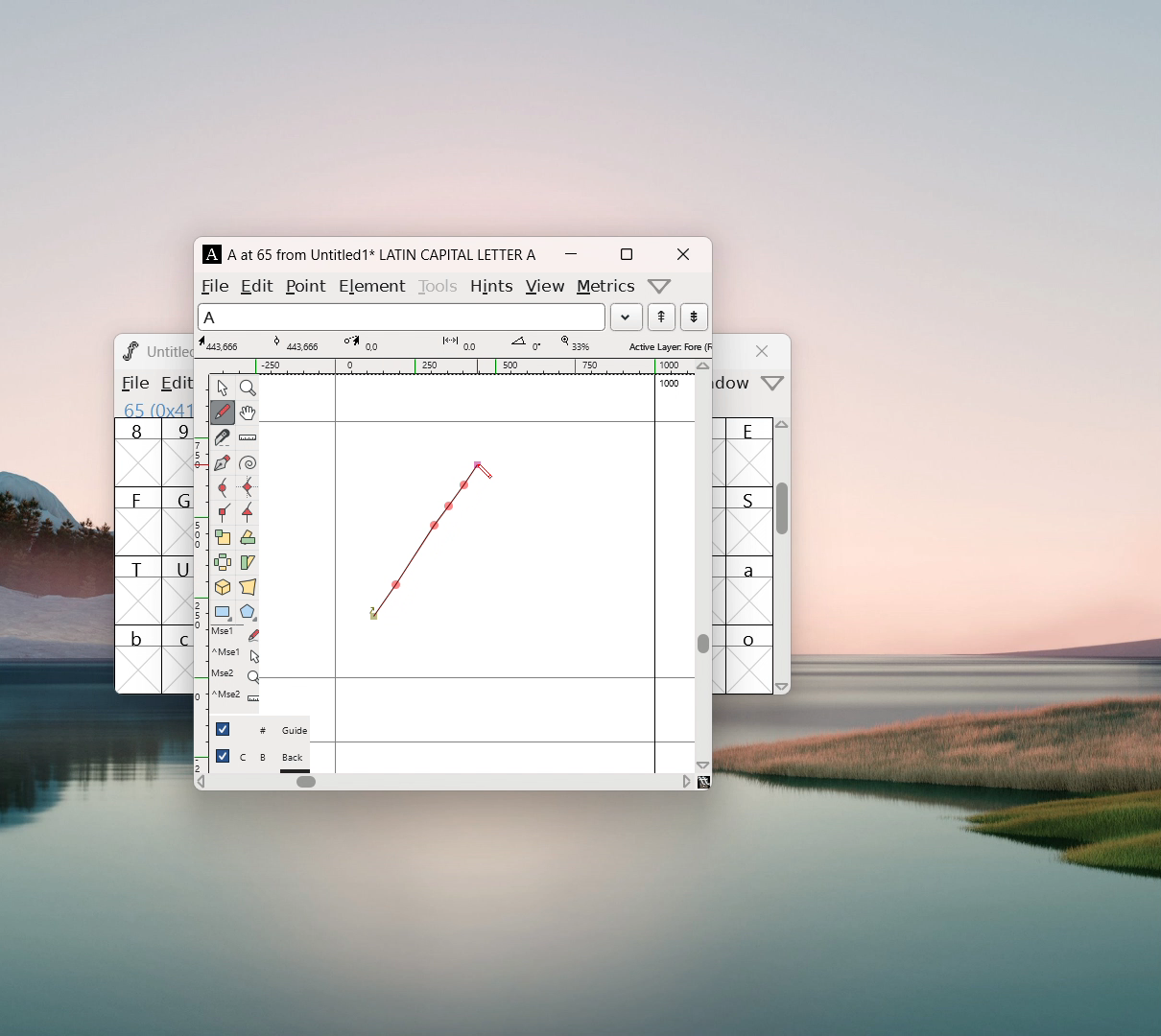  Describe the element at coordinates (490, 286) in the screenshot. I see `hints` at that location.